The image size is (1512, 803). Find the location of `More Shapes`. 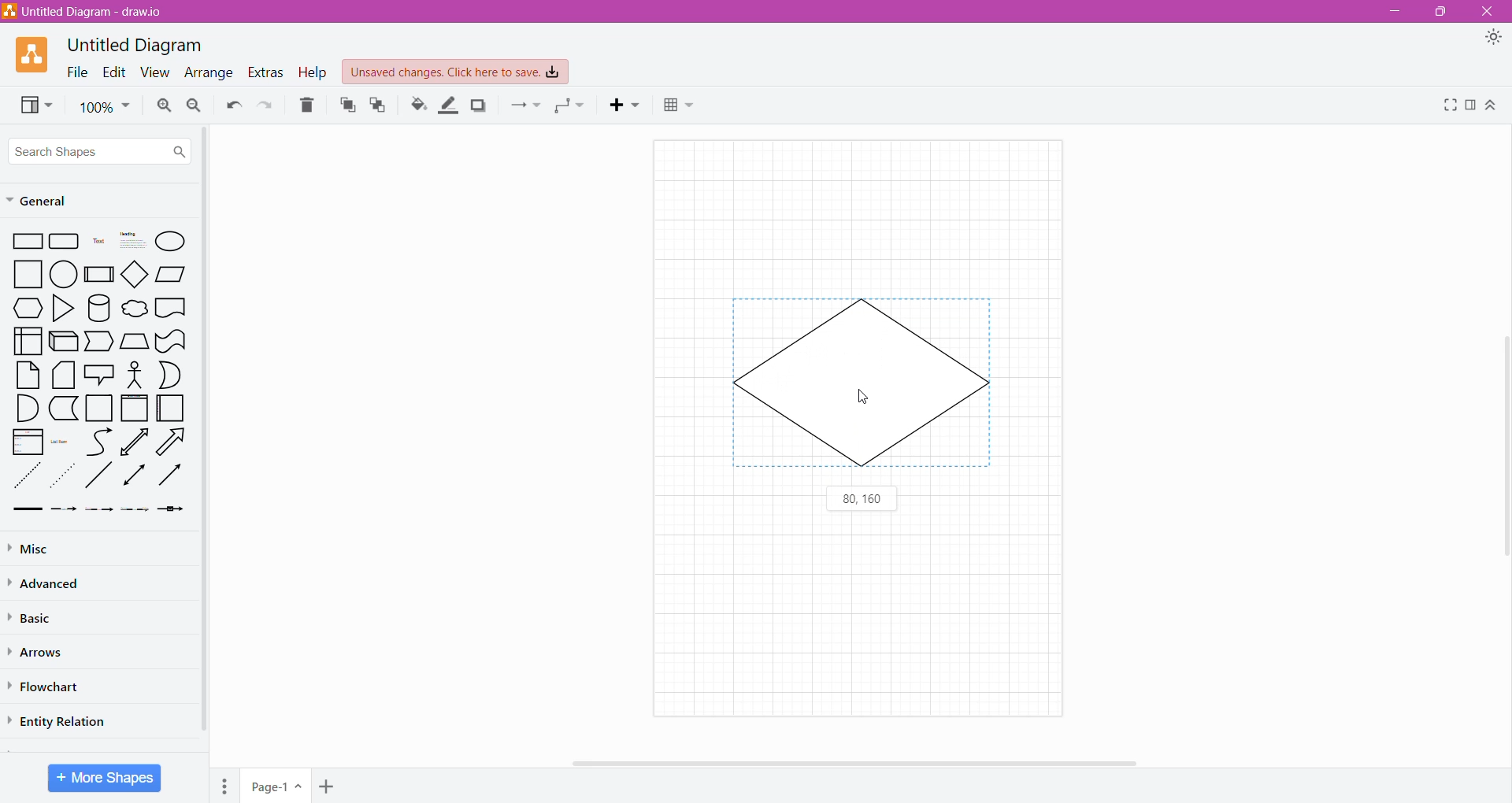

More Shapes is located at coordinates (105, 778).